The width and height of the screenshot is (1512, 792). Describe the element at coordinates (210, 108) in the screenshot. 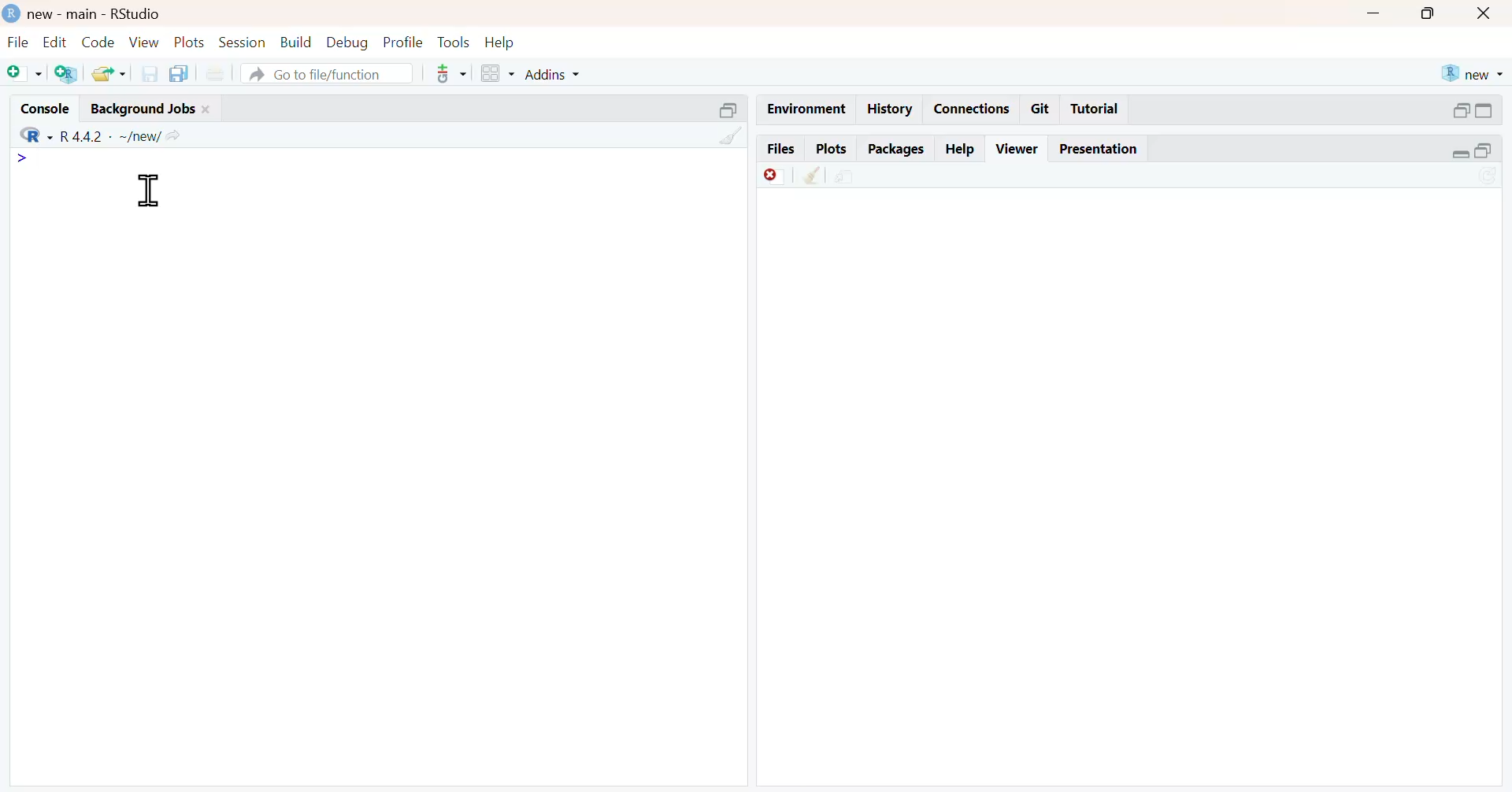

I see `close` at that location.